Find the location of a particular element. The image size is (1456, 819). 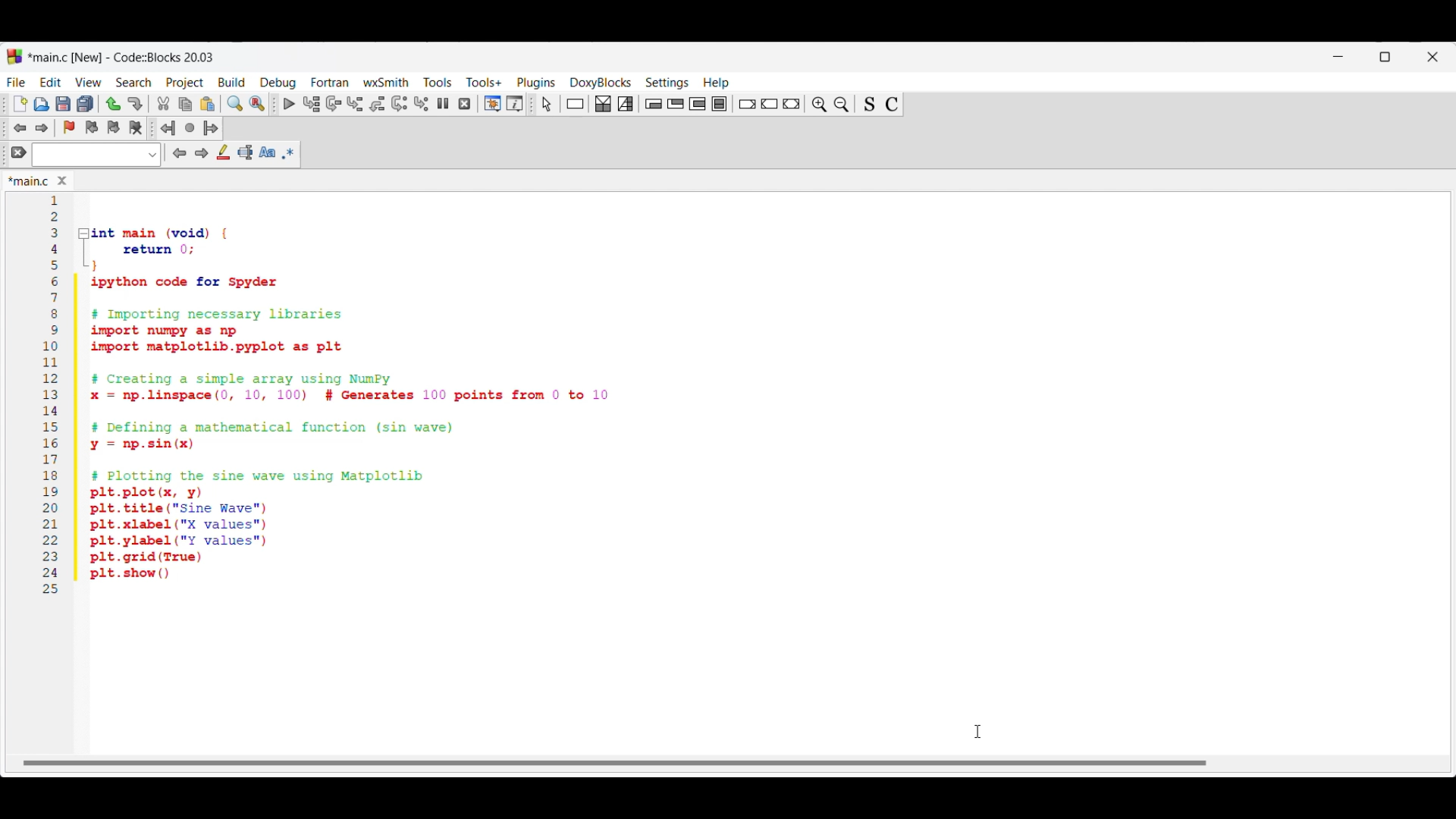

Save is located at coordinates (63, 104).